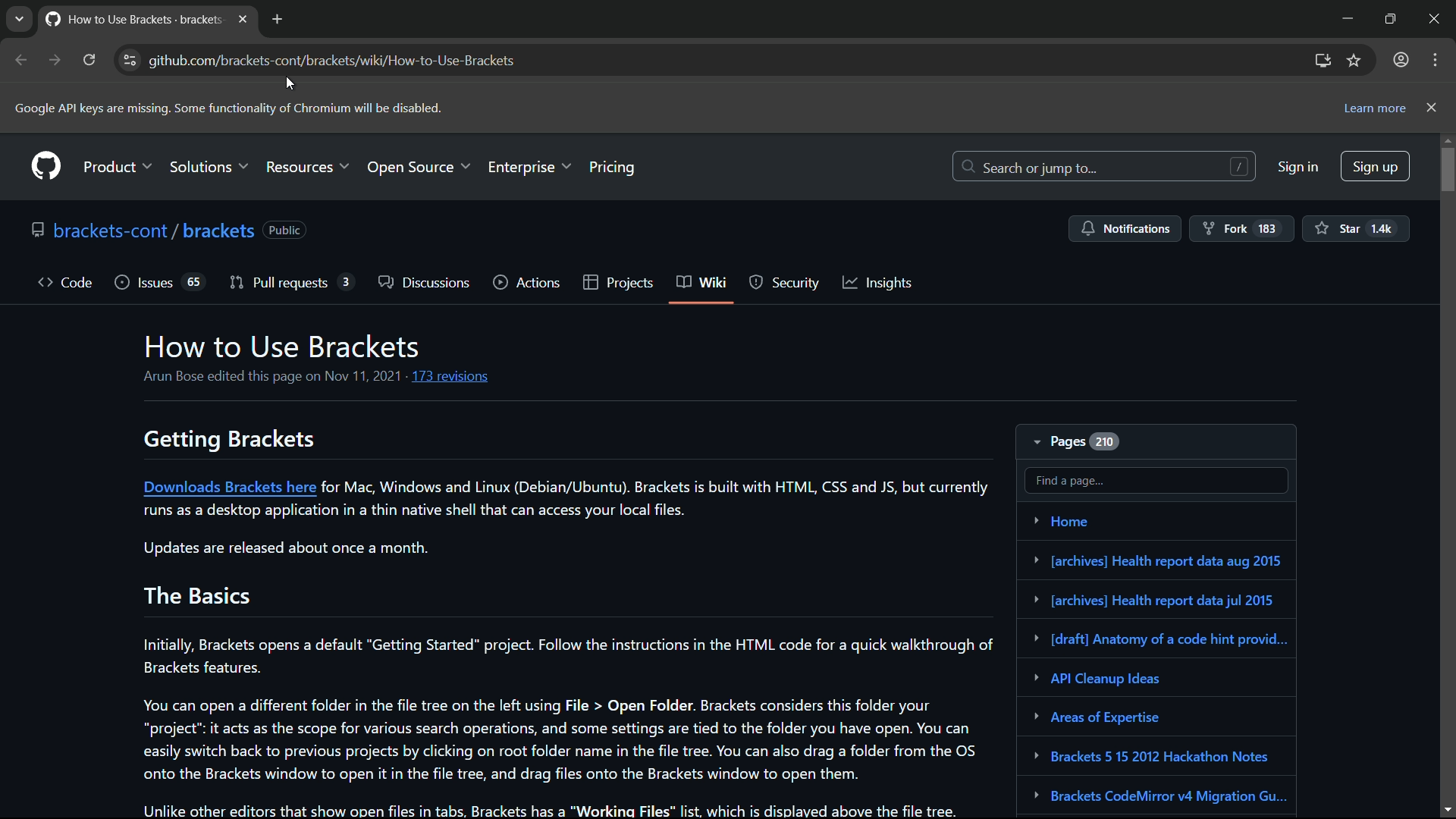  I want to click on minimize, so click(1345, 19).